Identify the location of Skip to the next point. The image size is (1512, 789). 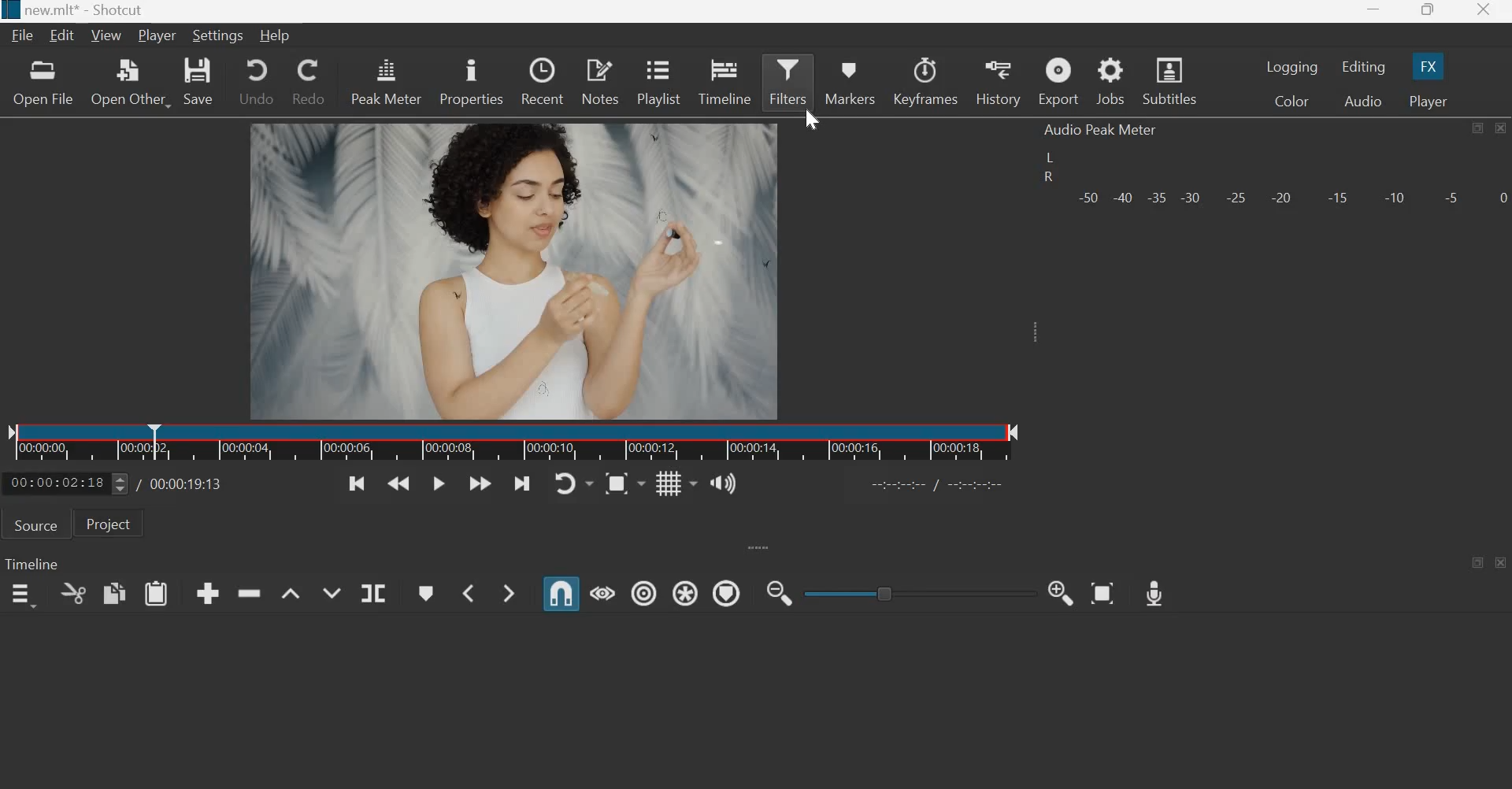
(522, 484).